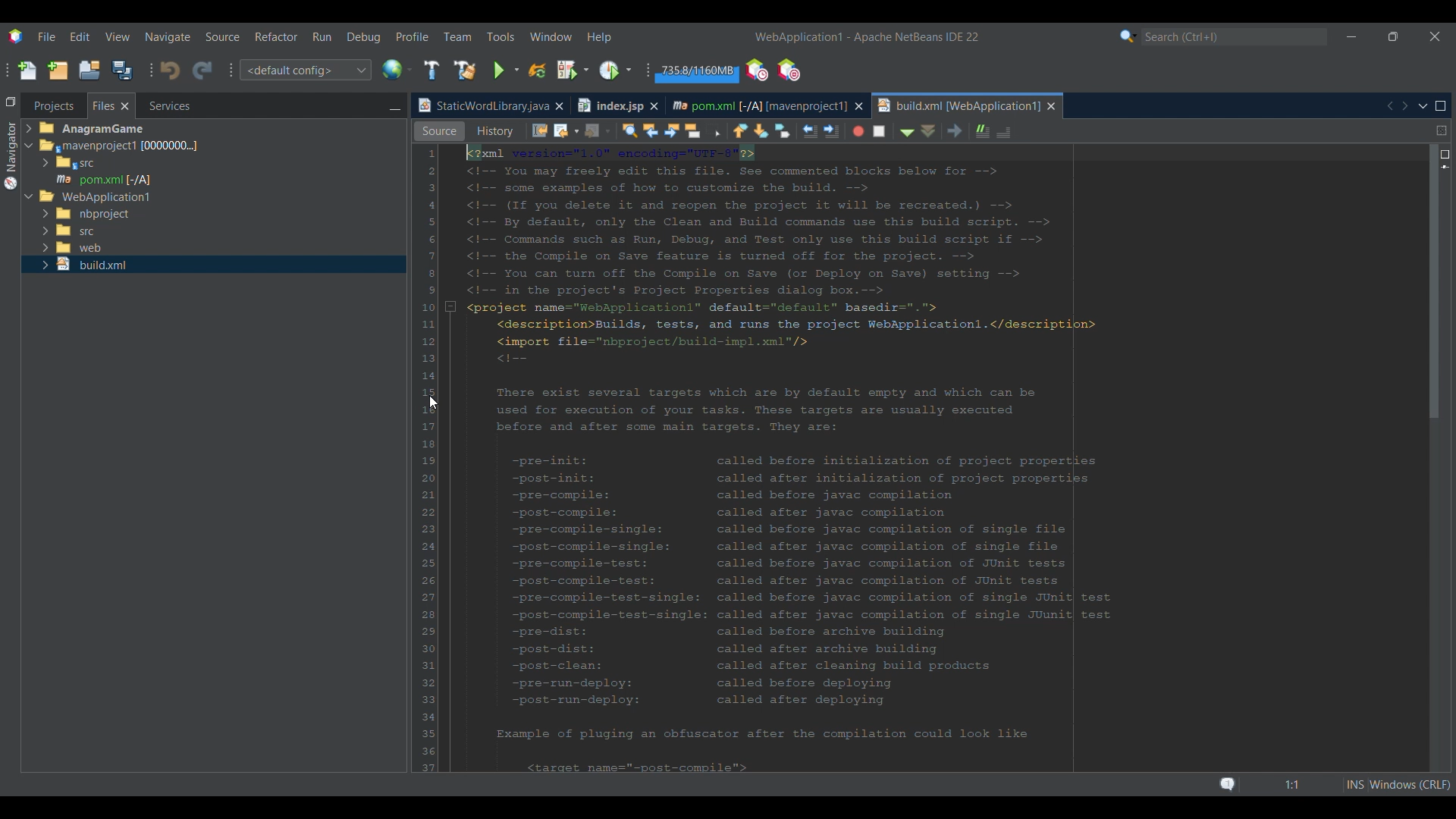 This screenshot has width=1456, height=819. I want to click on Previous bookmark, so click(877, 128).